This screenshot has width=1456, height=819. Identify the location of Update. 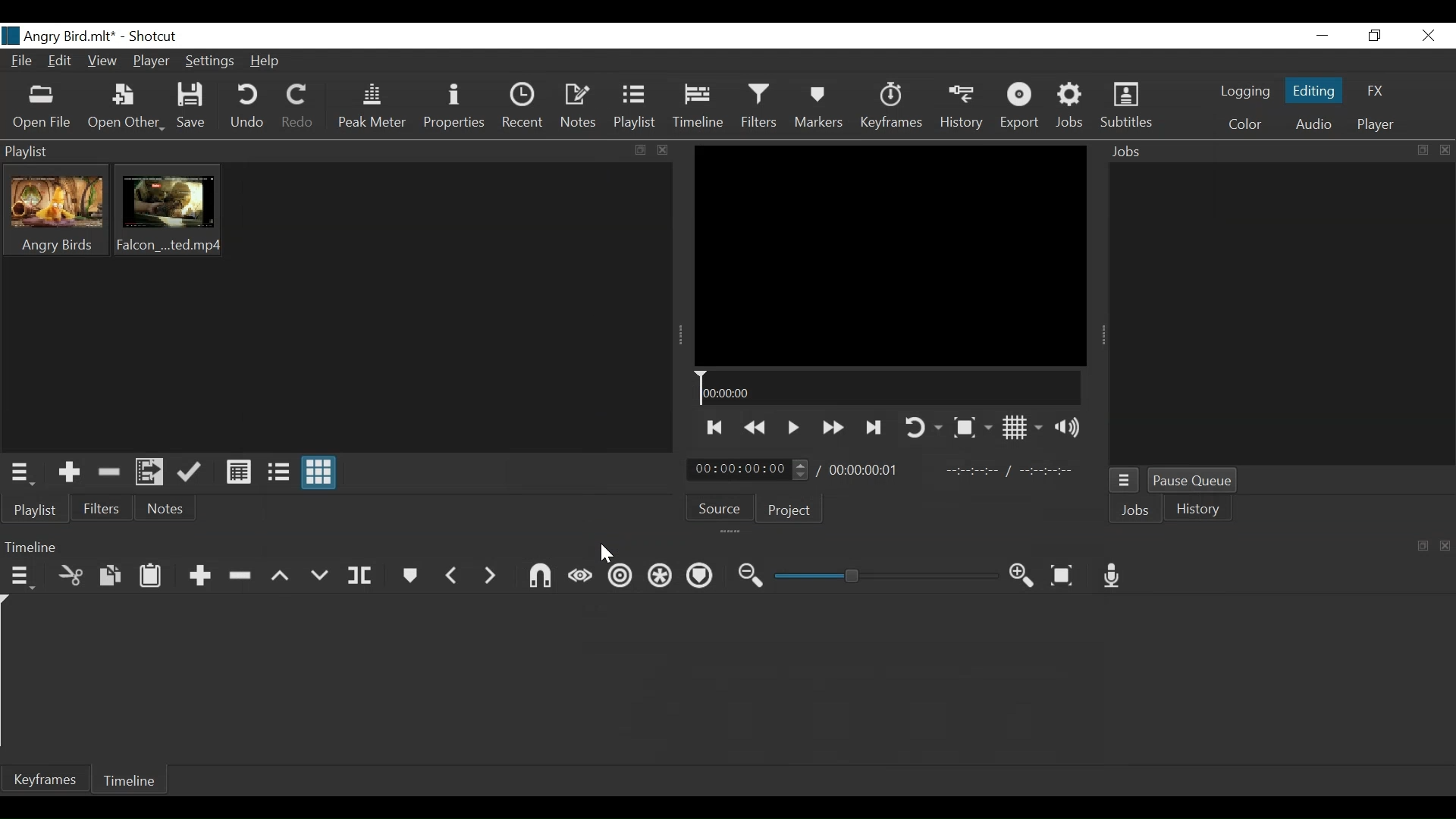
(190, 472).